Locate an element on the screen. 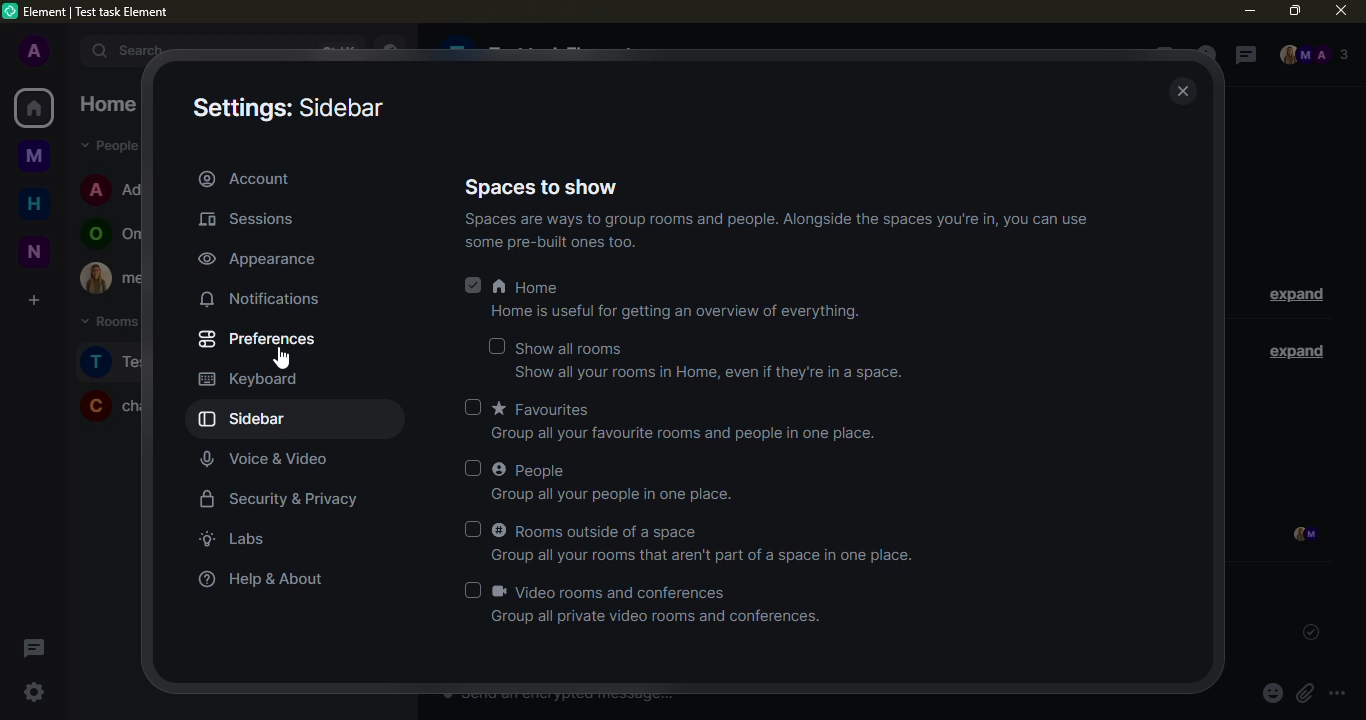 Image resolution: width=1366 pixels, height=720 pixels. home is located at coordinates (34, 108).